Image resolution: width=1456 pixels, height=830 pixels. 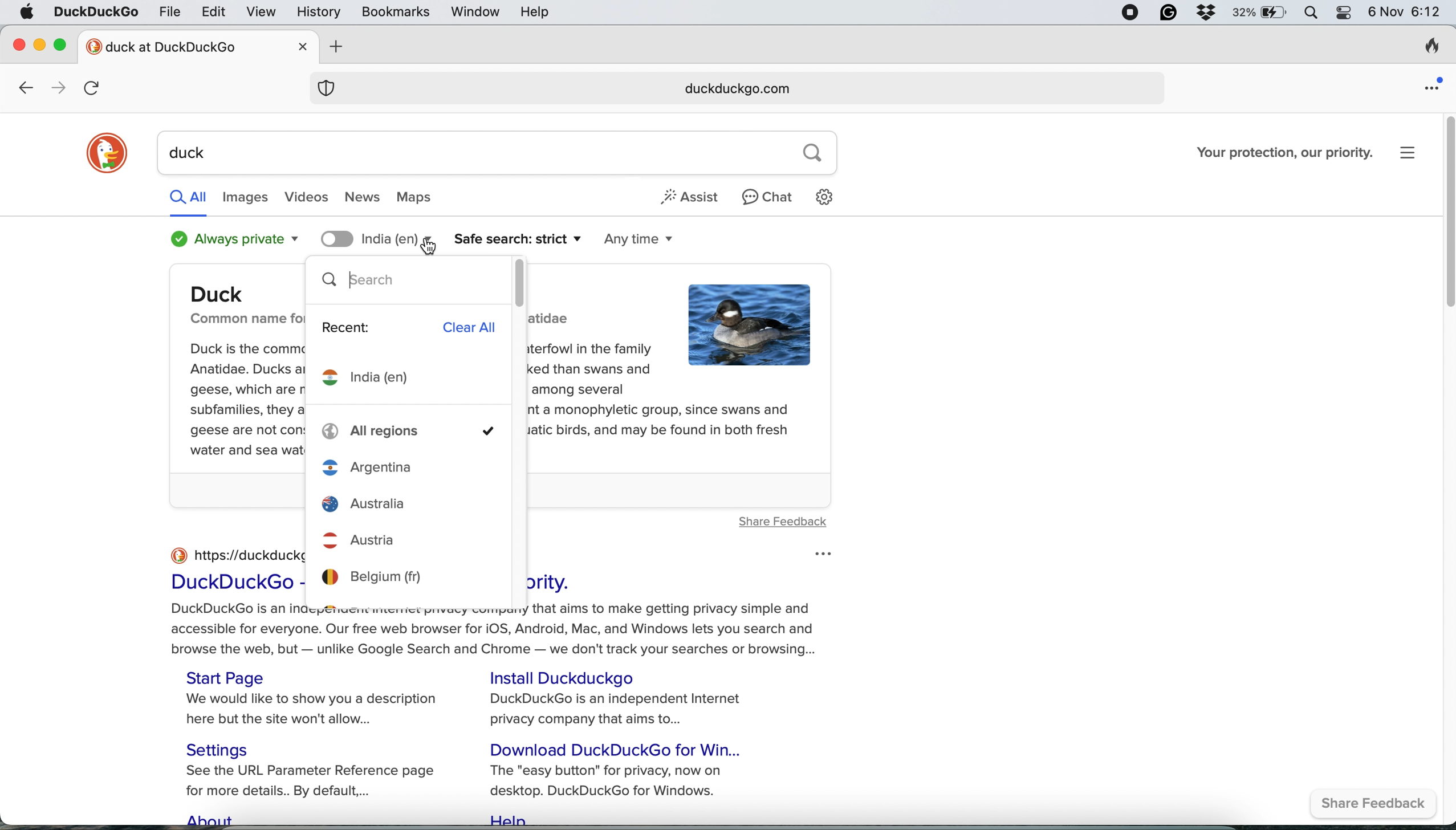 What do you see at coordinates (537, 12) in the screenshot?
I see `help` at bounding box center [537, 12].